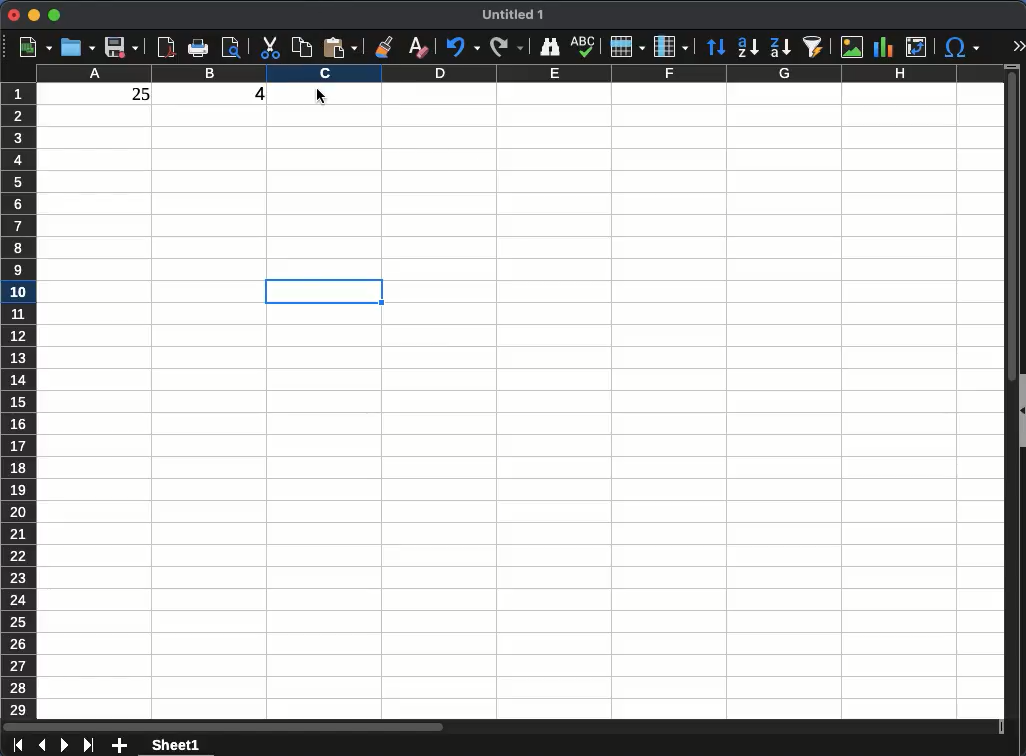 Image resolution: width=1026 pixels, height=756 pixels. I want to click on copy, so click(301, 47).